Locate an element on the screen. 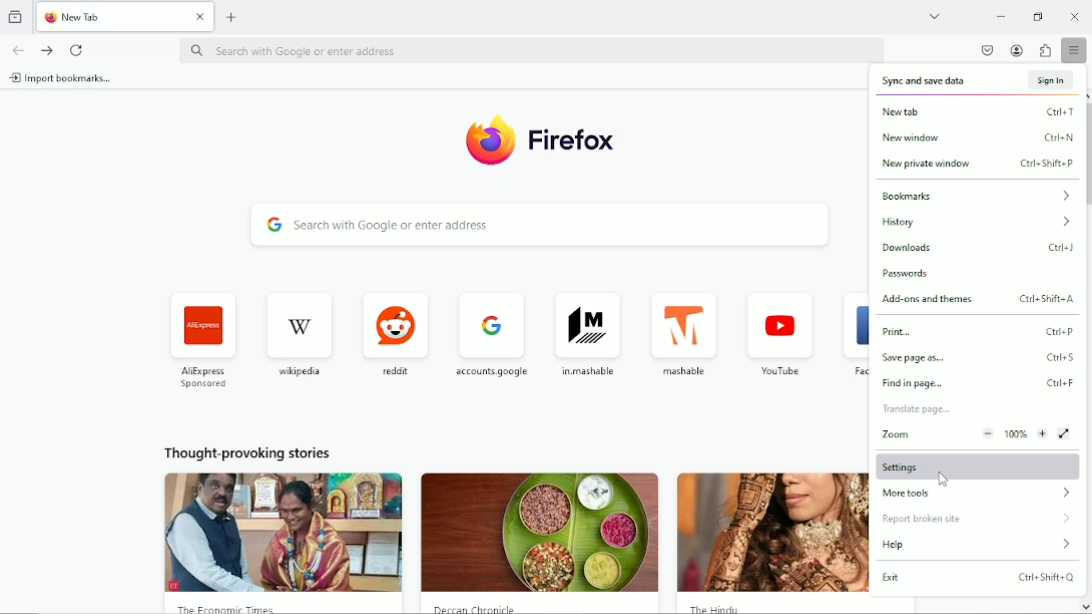  Settings is located at coordinates (979, 465).